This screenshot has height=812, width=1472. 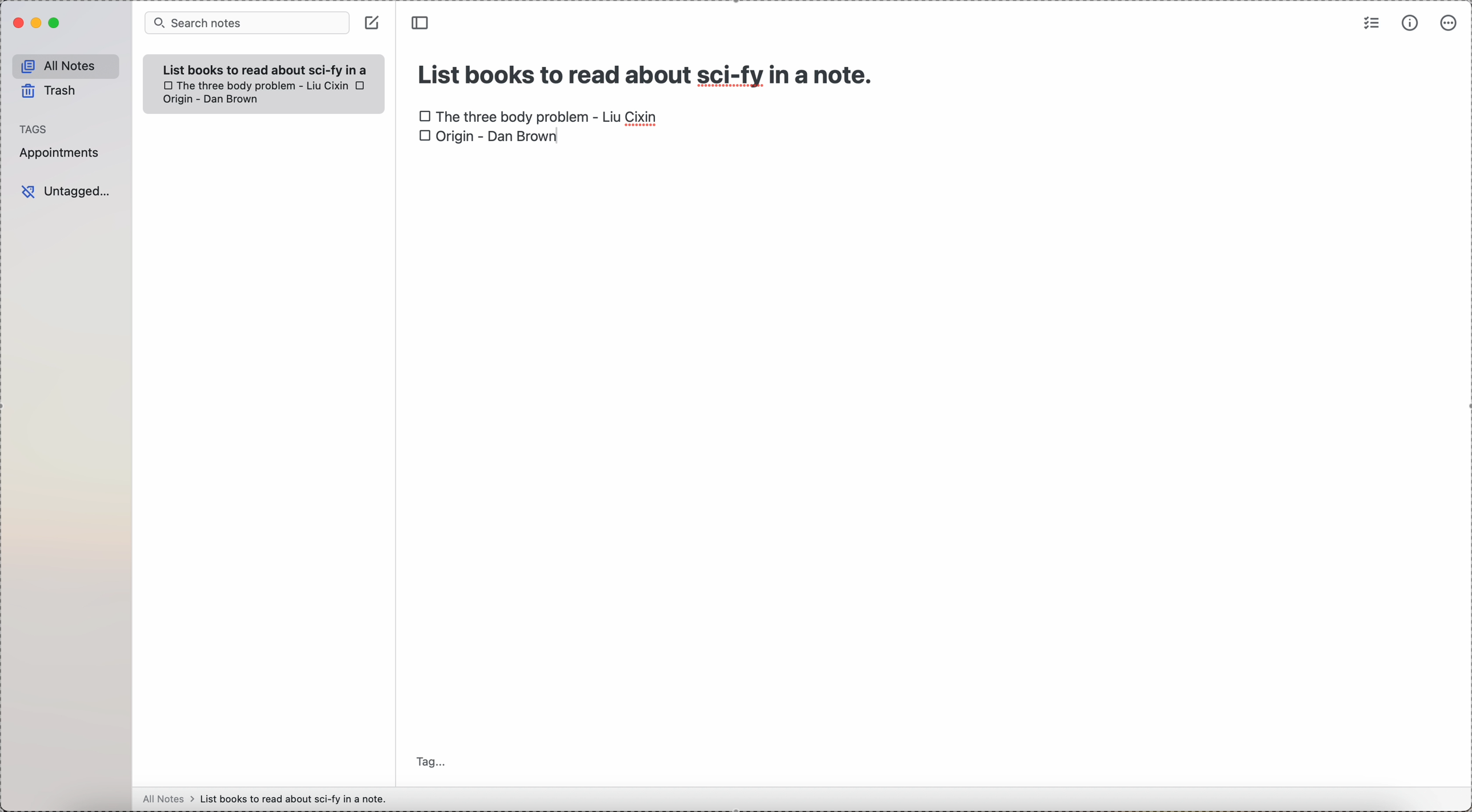 I want to click on appointments tag, so click(x=60, y=154).